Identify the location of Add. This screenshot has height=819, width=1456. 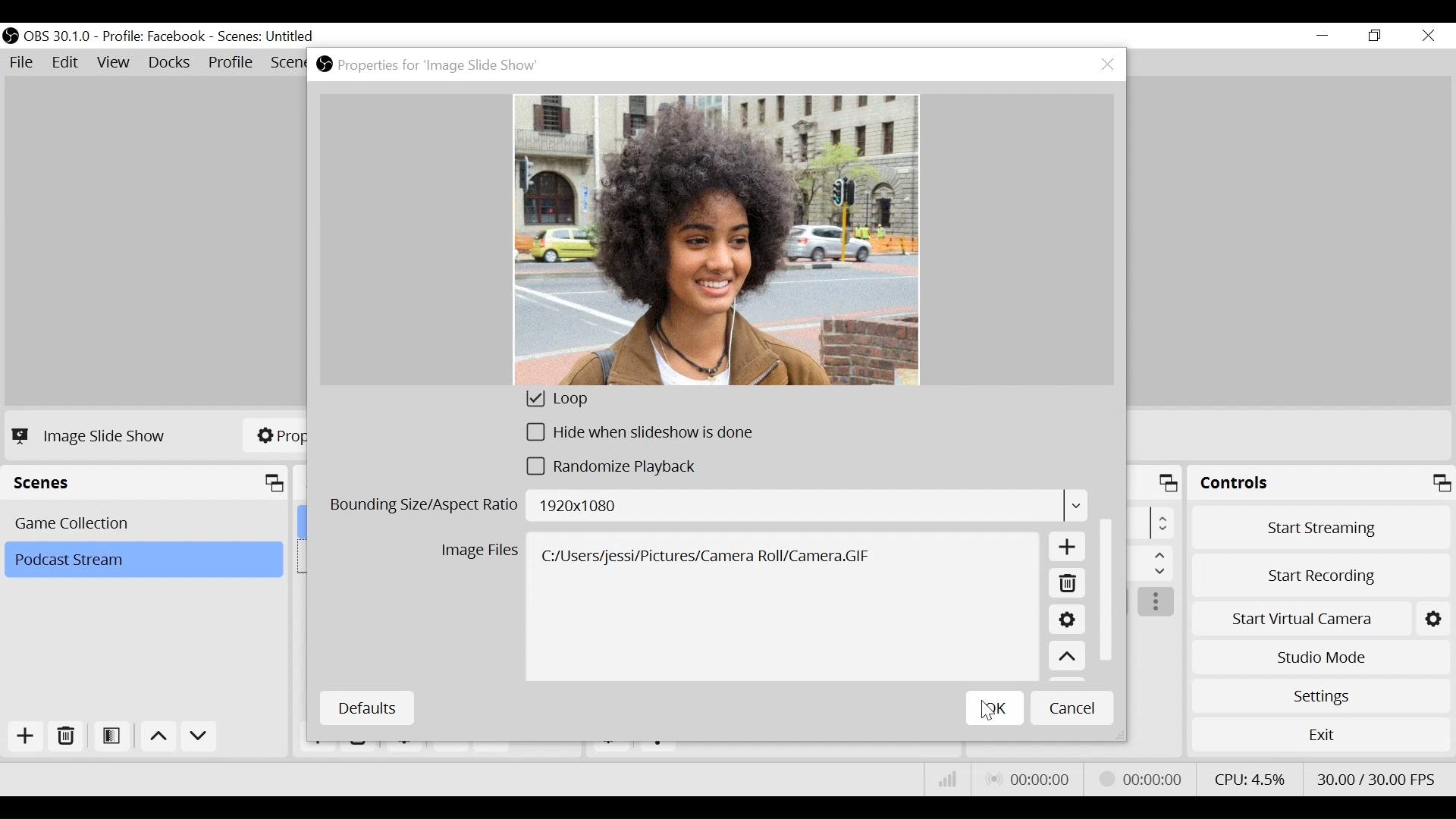
(24, 736).